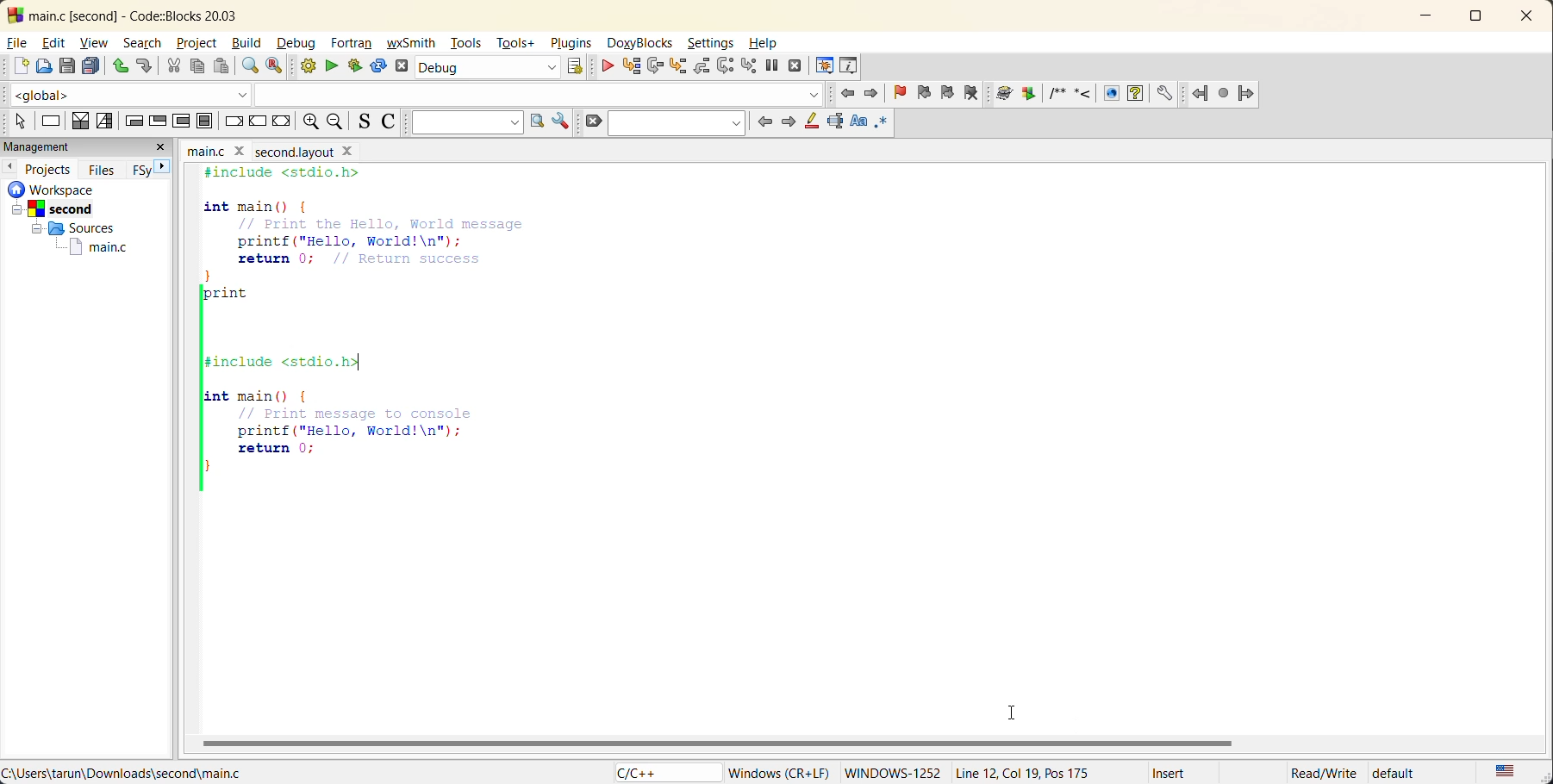  What do you see at coordinates (16, 44) in the screenshot?
I see `file` at bounding box center [16, 44].